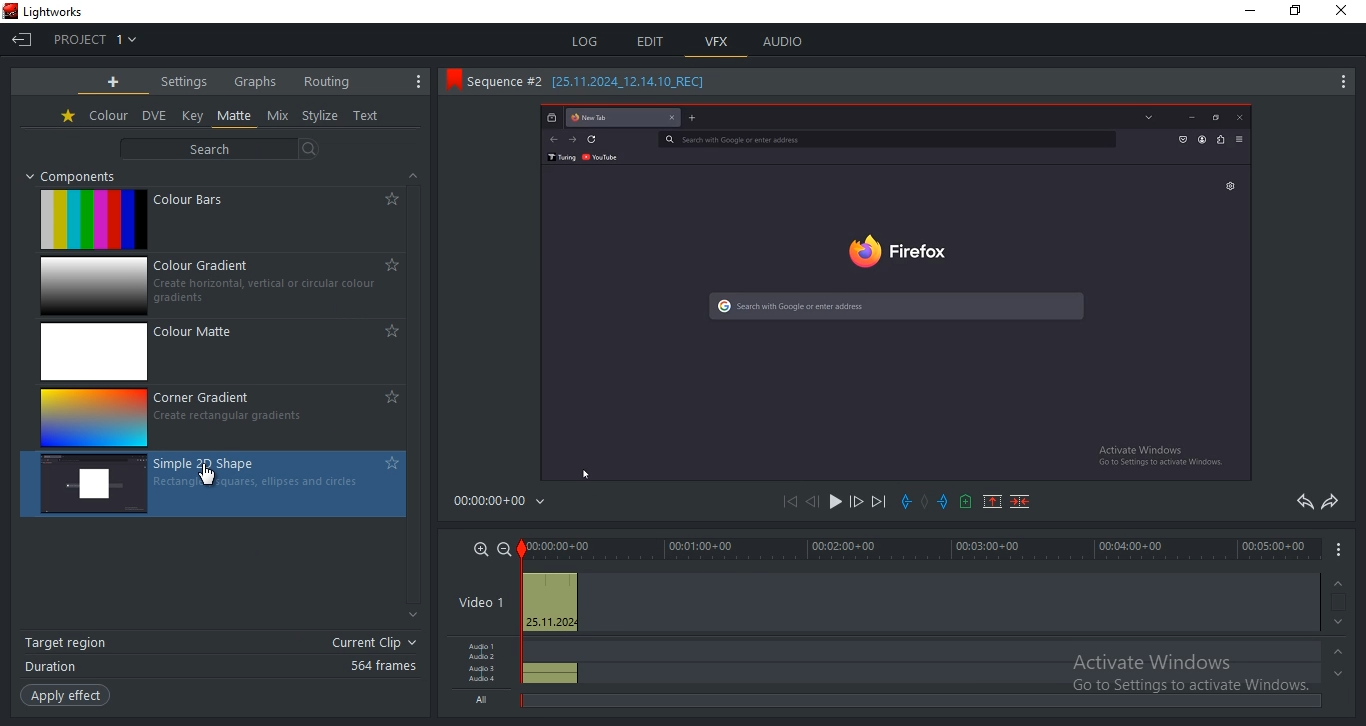 This screenshot has height=726, width=1366. What do you see at coordinates (1302, 502) in the screenshot?
I see `undo` at bounding box center [1302, 502].